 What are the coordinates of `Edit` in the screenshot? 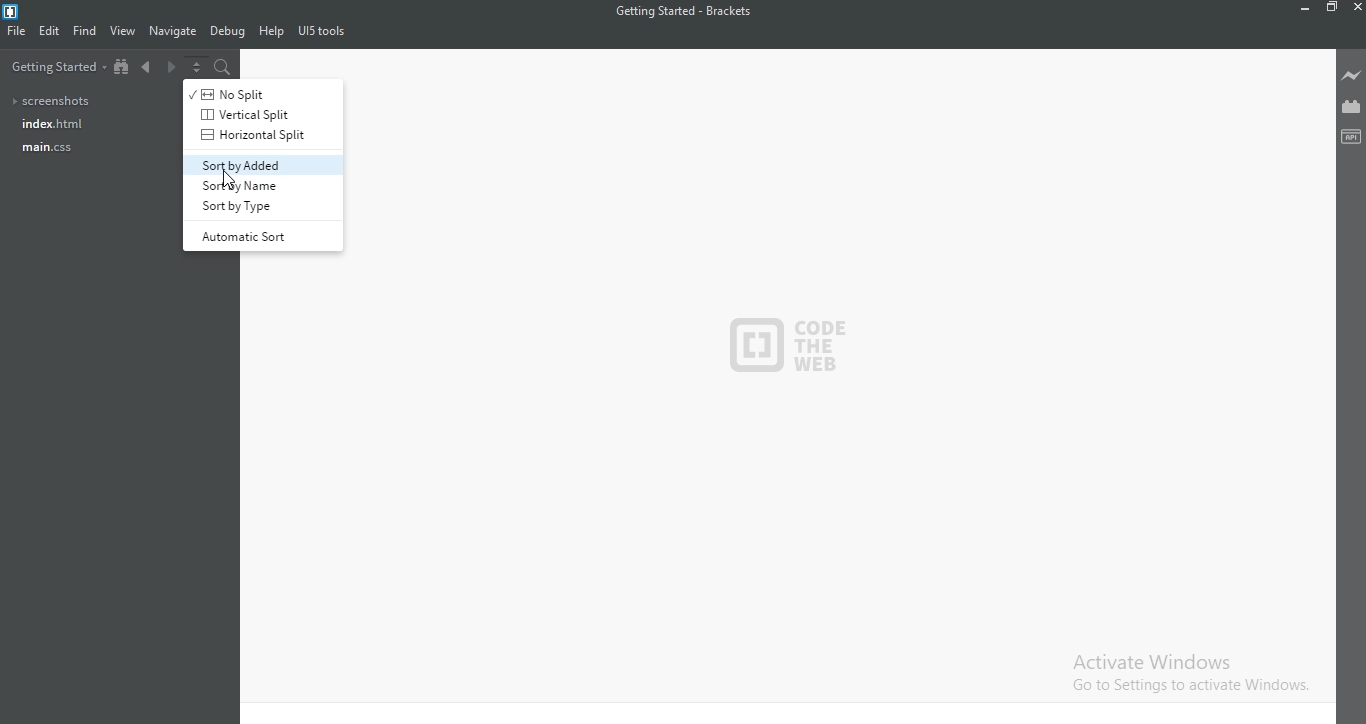 It's located at (50, 33).